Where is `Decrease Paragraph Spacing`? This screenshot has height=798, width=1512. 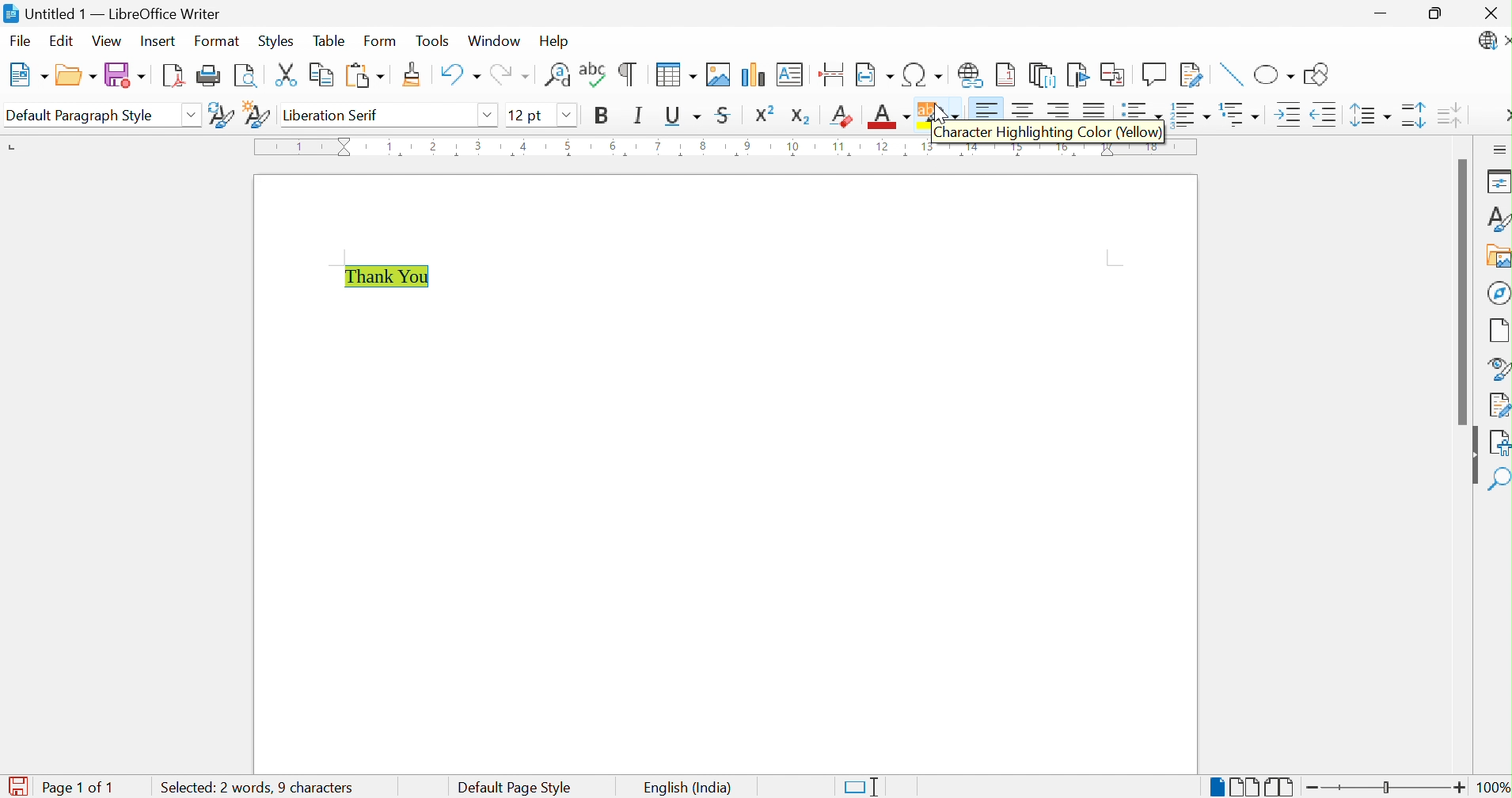
Decrease Paragraph Spacing is located at coordinates (1451, 117).